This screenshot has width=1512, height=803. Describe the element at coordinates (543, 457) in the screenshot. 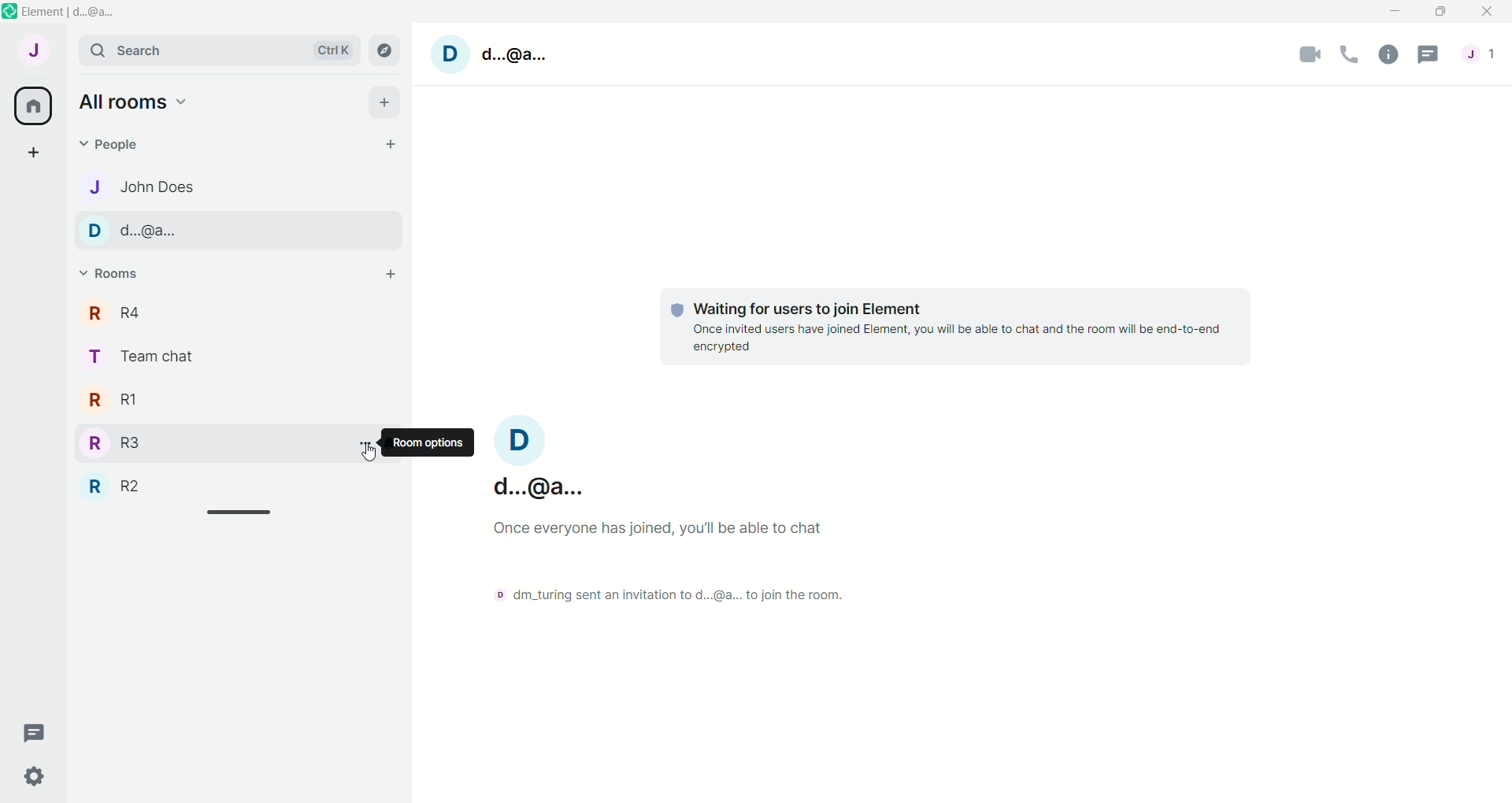

I see `account: d...@a...` at that location.